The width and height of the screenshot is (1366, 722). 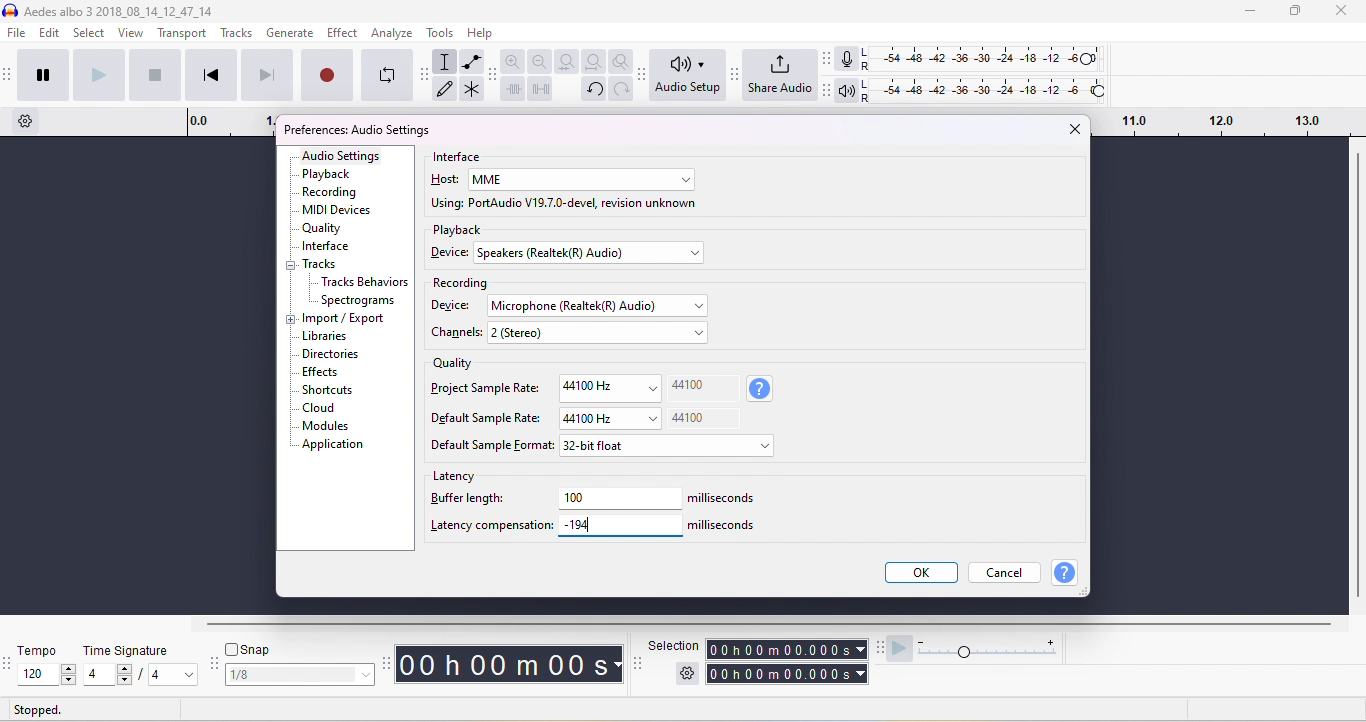 I want to click on effects, so click(x=322, y=372).